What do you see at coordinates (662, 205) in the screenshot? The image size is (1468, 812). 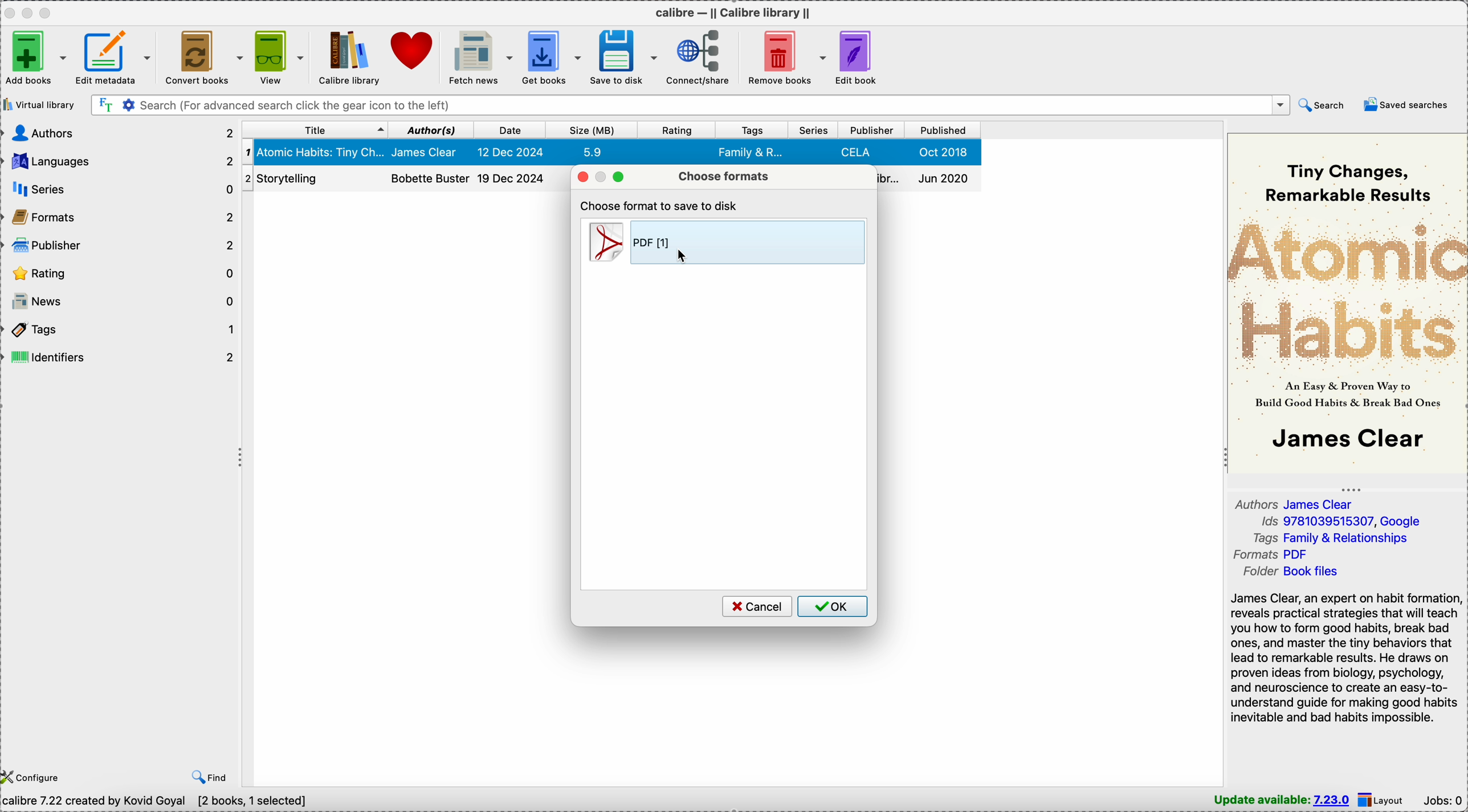 I see `choose format to save to disk` at bounding box center [662, 205].